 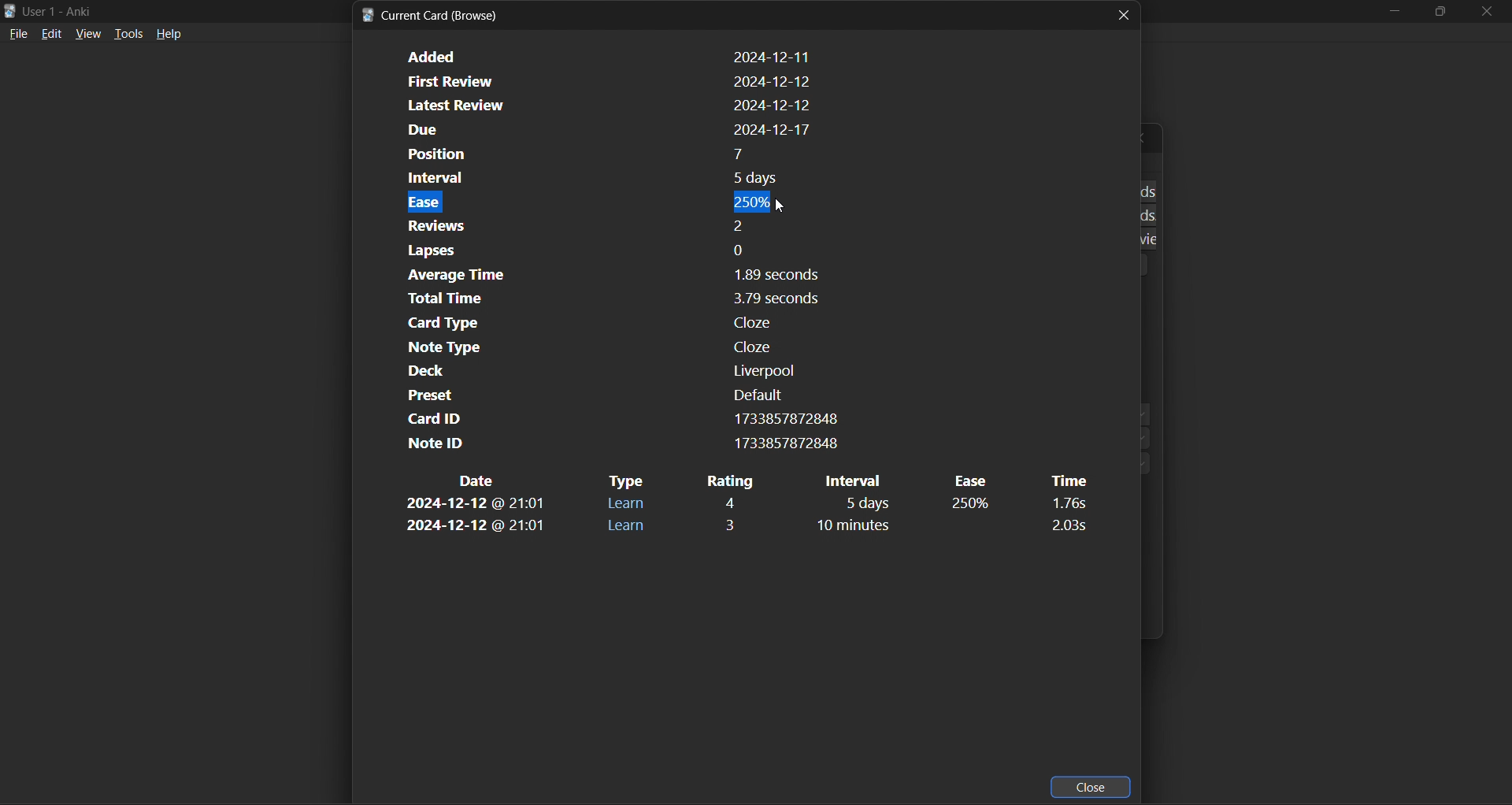 I want to click on interval, so click(x=867, y=527).